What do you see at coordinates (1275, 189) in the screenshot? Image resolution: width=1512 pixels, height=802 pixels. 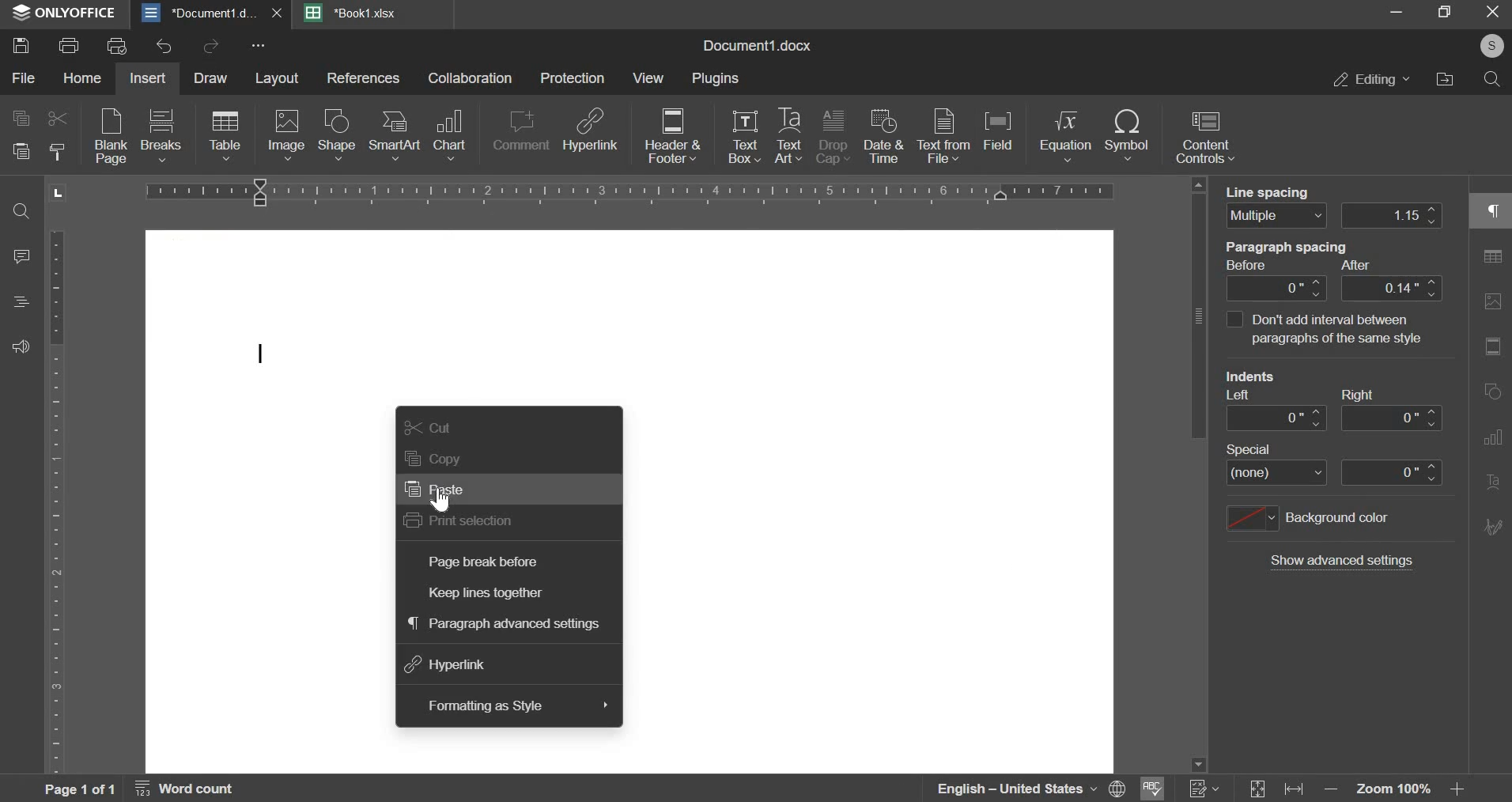 I see `Line spacing label` at bounding box center [1275, 189].